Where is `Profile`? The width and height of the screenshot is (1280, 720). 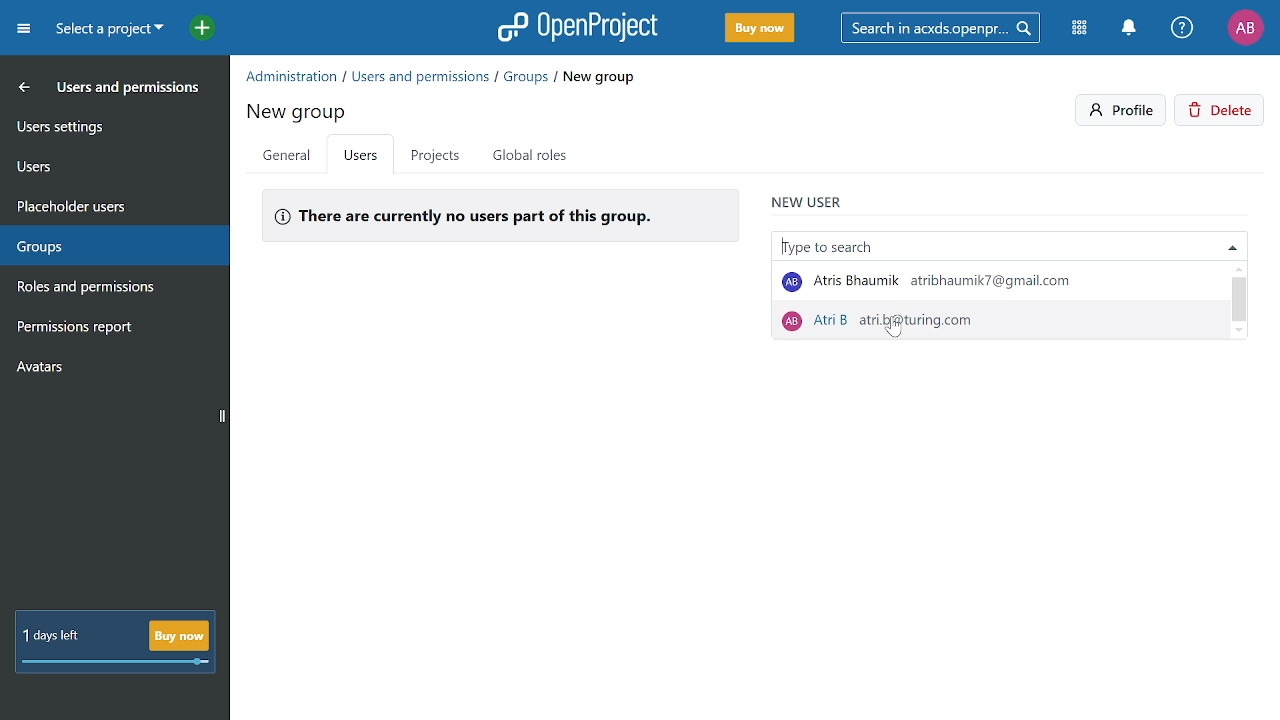 Profile is located at coordinates (1245, 27).